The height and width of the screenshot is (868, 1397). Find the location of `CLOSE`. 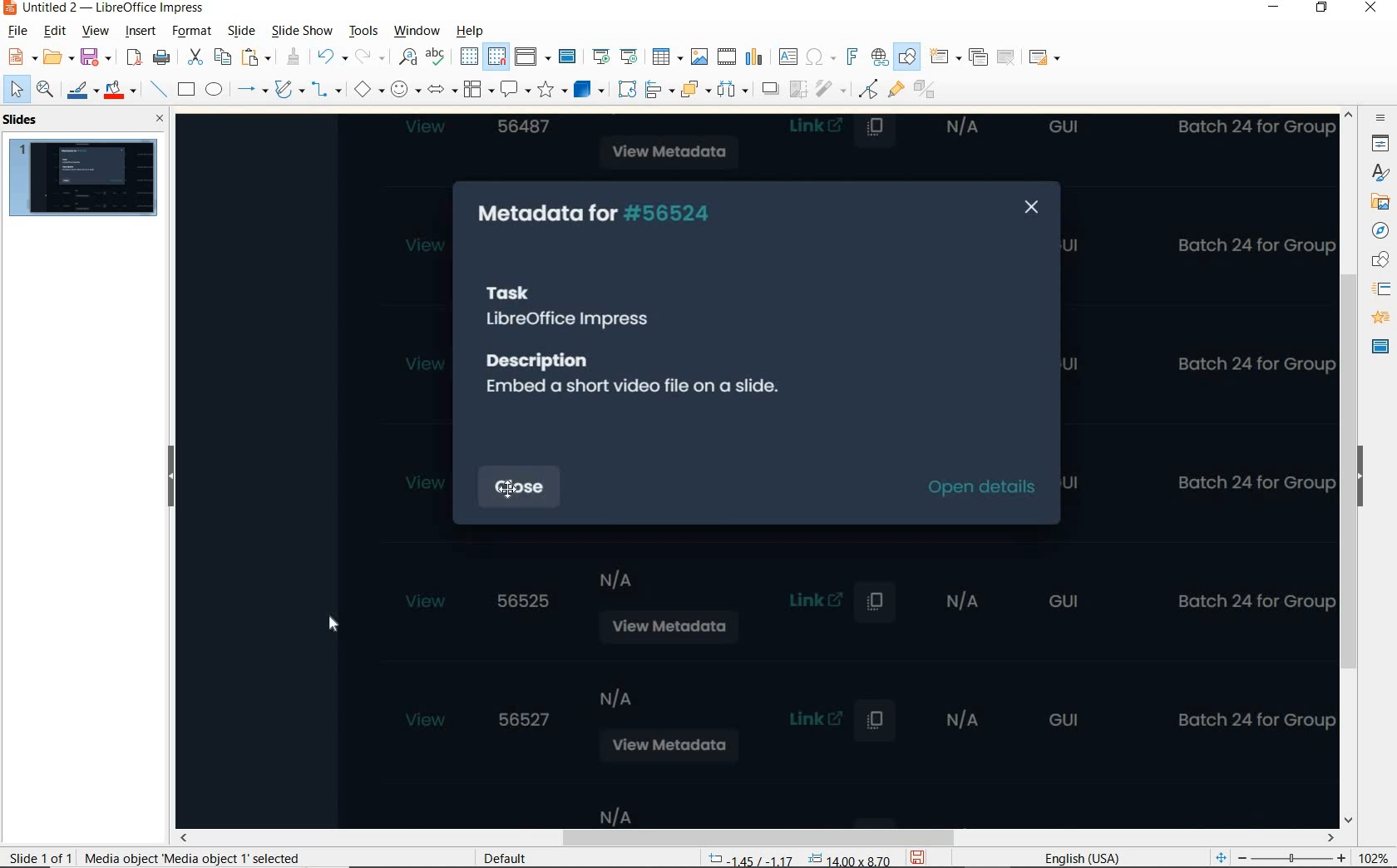

CLOSE is located at coordinates (1374, 7).